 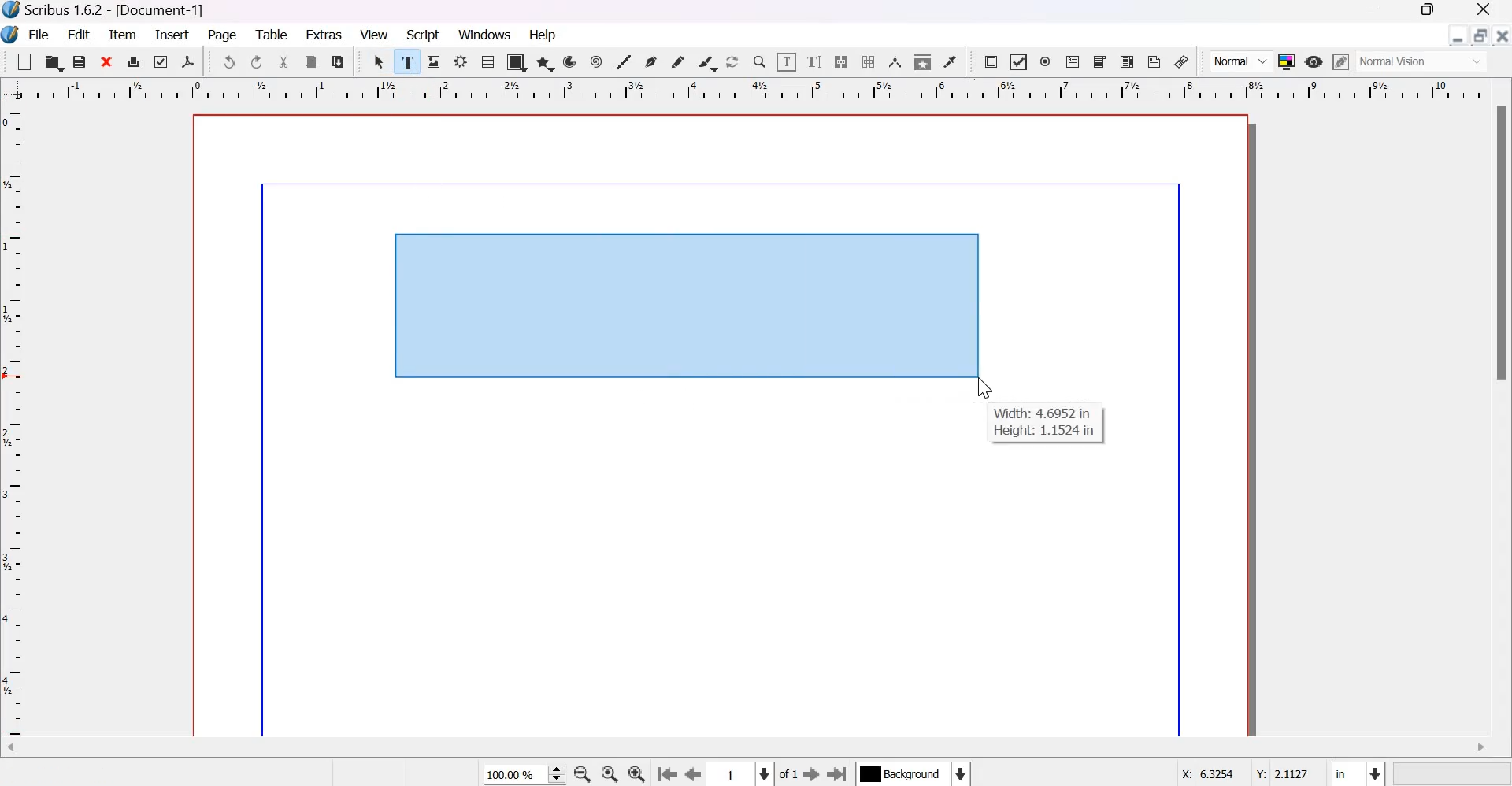 What do you see at coordinates (991, 388) in the screenshot?
I see `cursor` at bounding box center [991, 388].